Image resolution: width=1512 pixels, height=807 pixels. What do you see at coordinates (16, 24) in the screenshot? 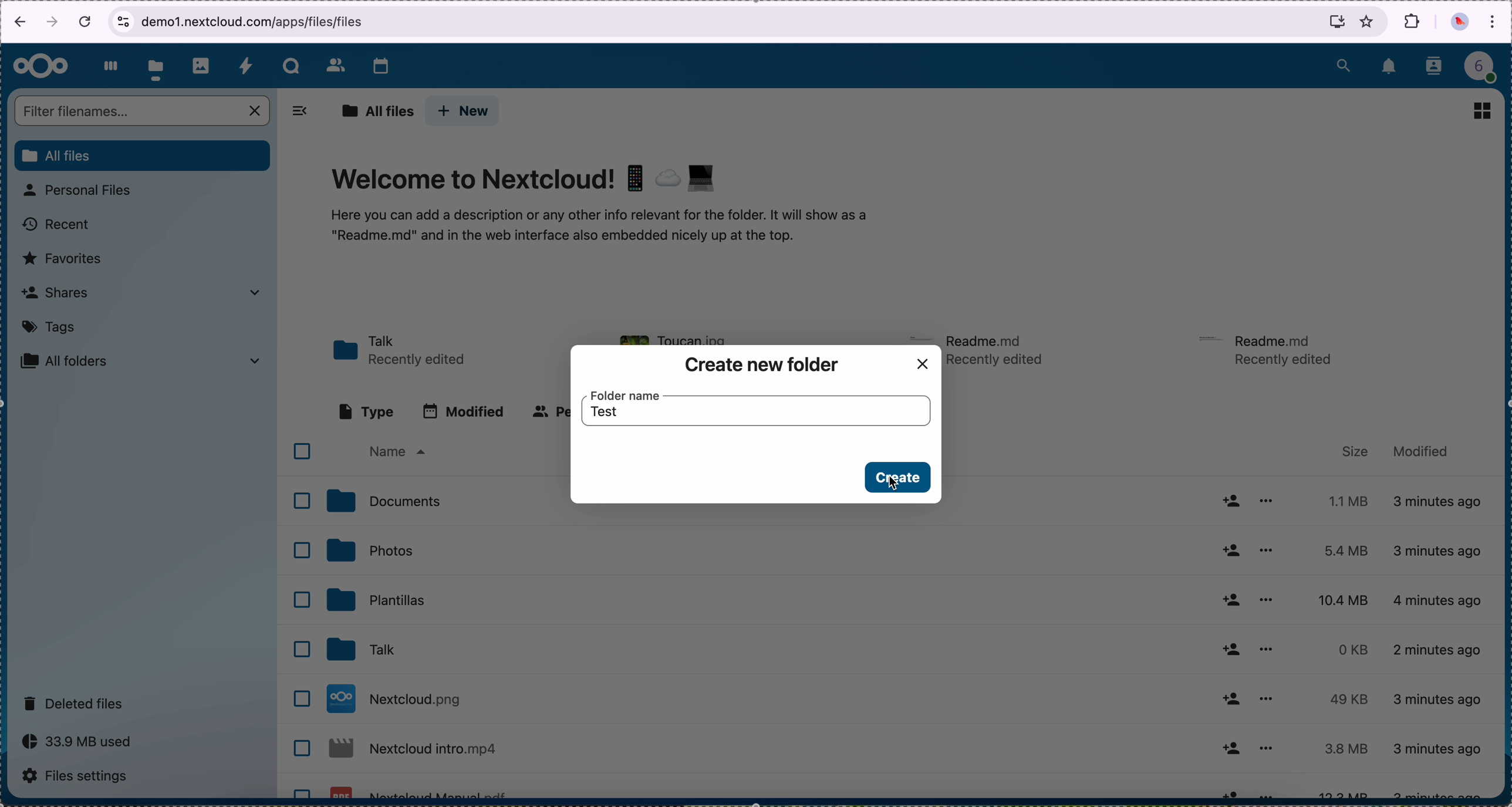
I see `navigate back` at bounding box center [16, 24].